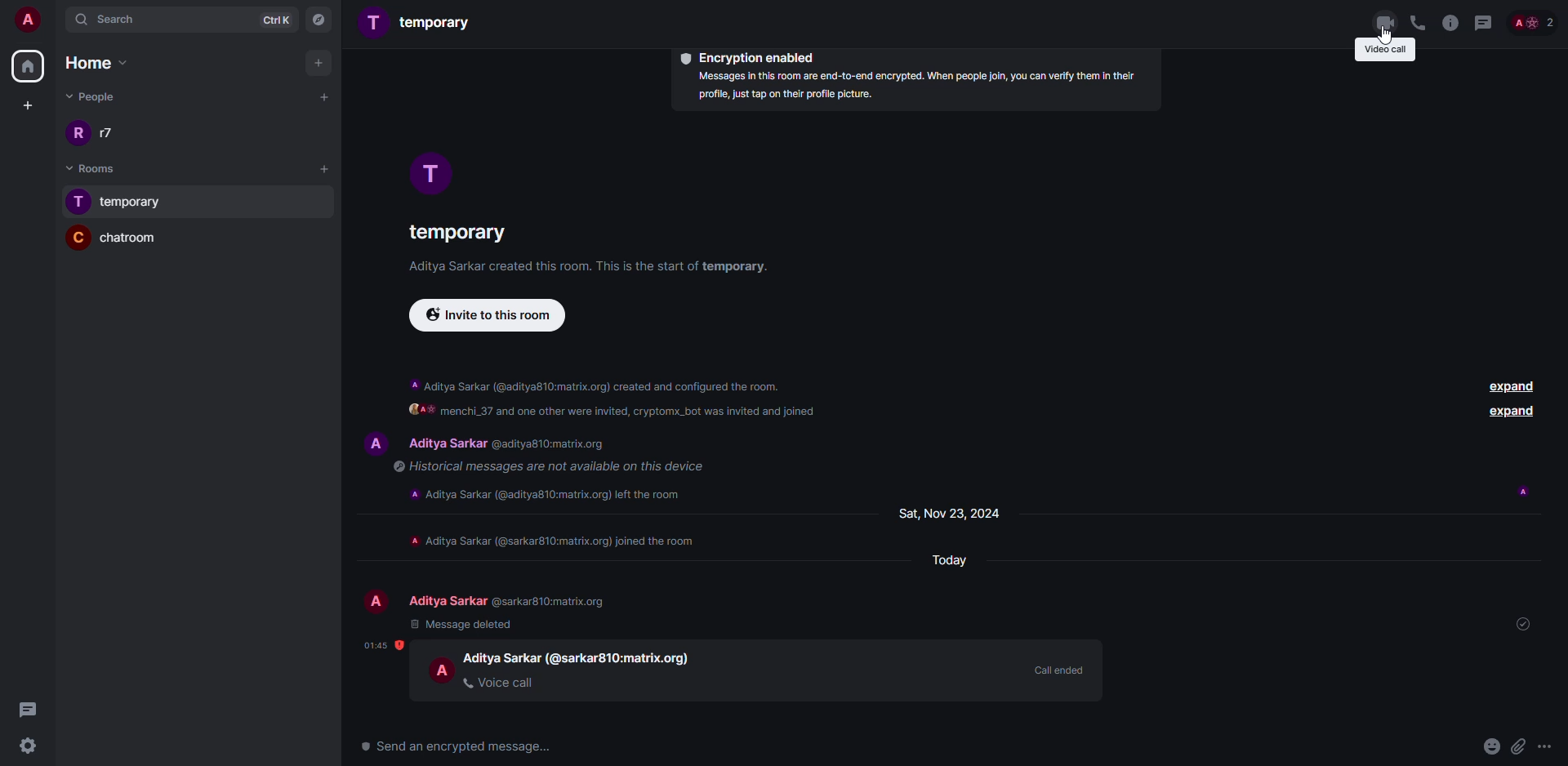 The image size is (1568, 766). Describe the element at coordinates (29, 708) in the screenshot. I see `threads` at that location.